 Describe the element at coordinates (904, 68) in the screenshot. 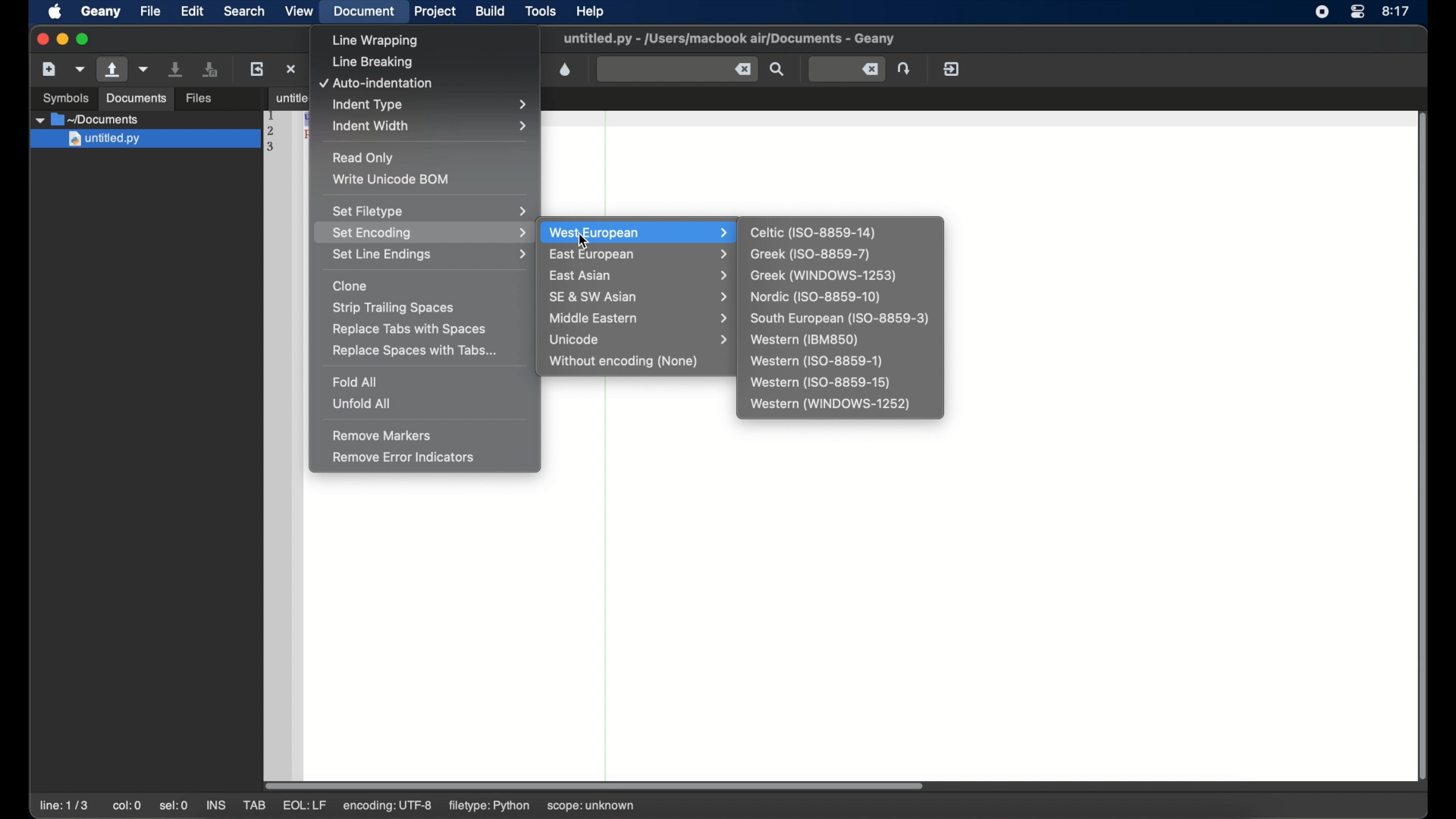

I see `jump to the entered line number` at that location.